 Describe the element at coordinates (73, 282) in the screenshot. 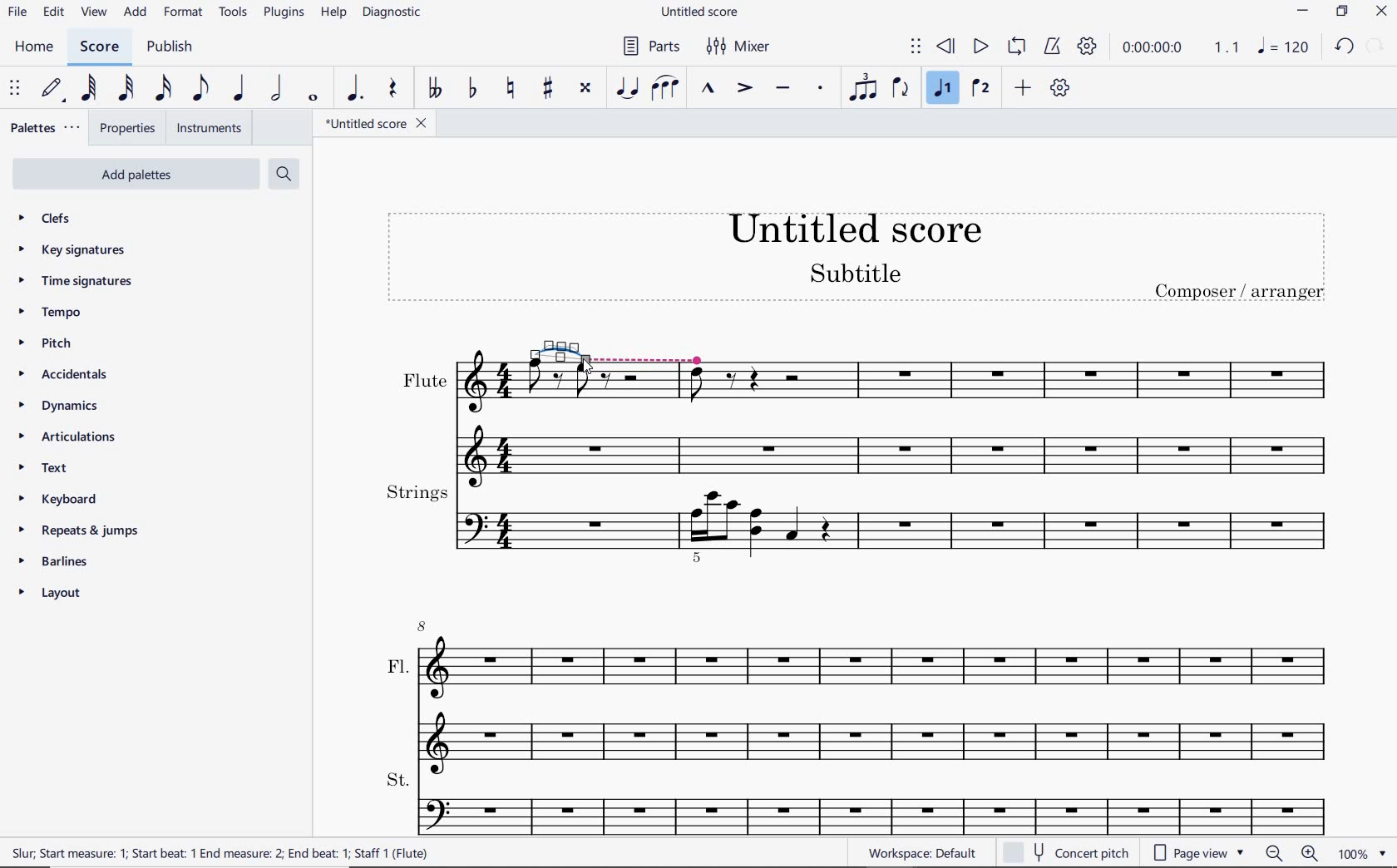

I see `time signatures` at that location.